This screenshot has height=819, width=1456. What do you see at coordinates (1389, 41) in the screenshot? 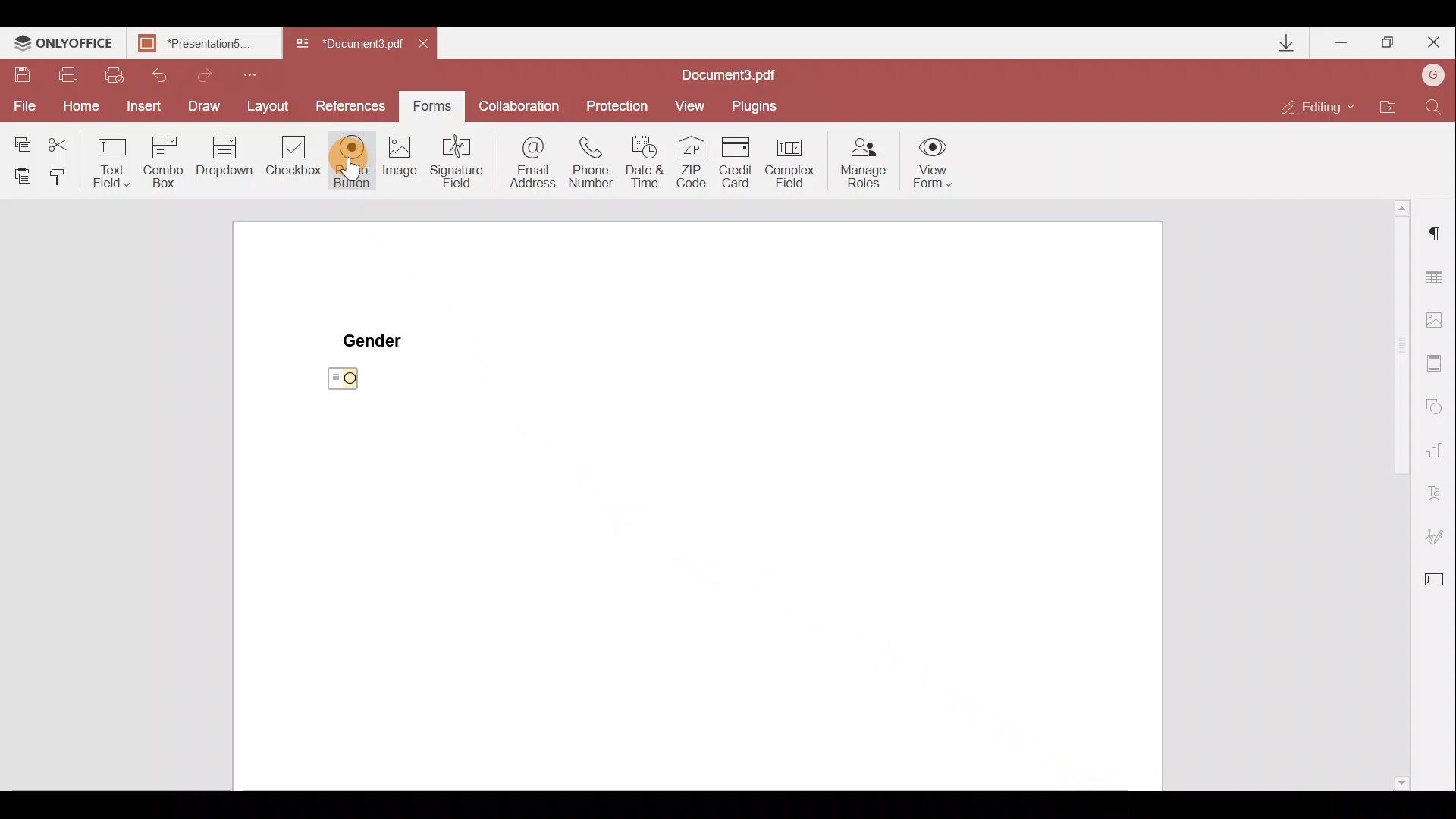
I see `Maximize` at bounding box center [1389, 41].